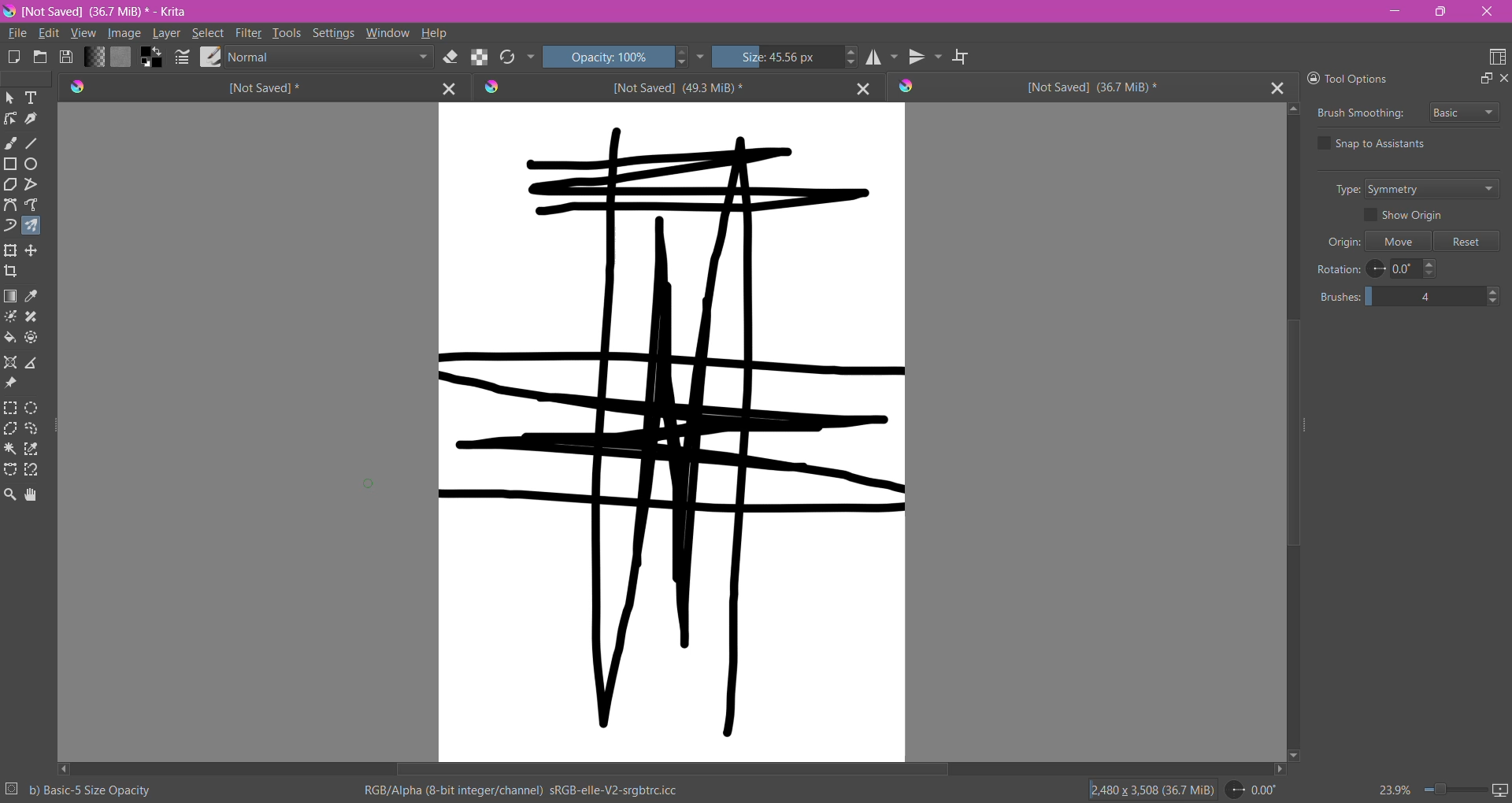 The height and width of the screenshot is (803, 1512). What do you see at coordinates (1503, 80) in the screenshot?
I see `Close Docker` at bounding box center [1503, 80].